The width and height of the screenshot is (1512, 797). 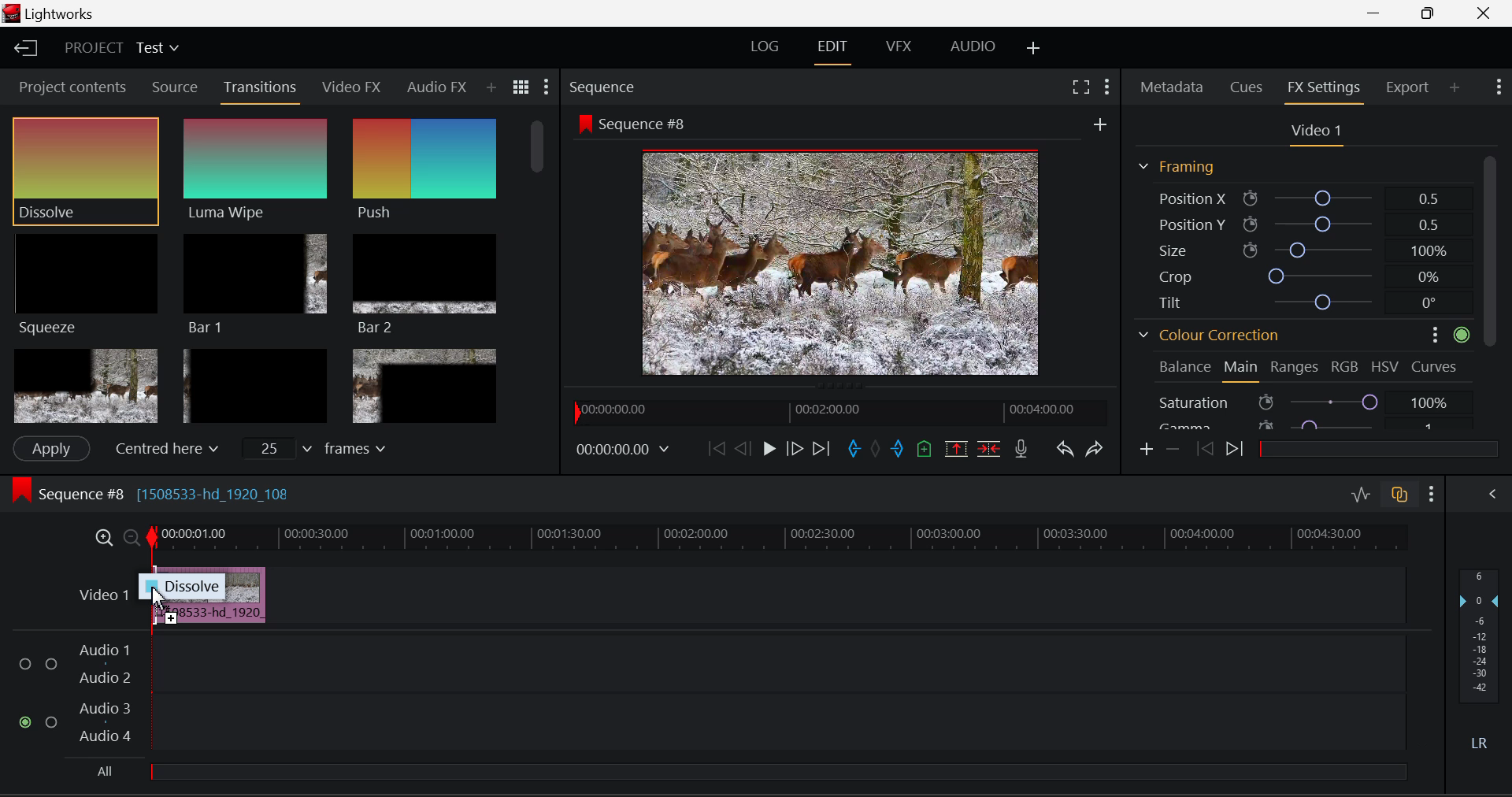 What do you see at coordinates (24, 665) in the screenshot?
I see `Audio Input Checkbox` at bounding box center [24, 665].